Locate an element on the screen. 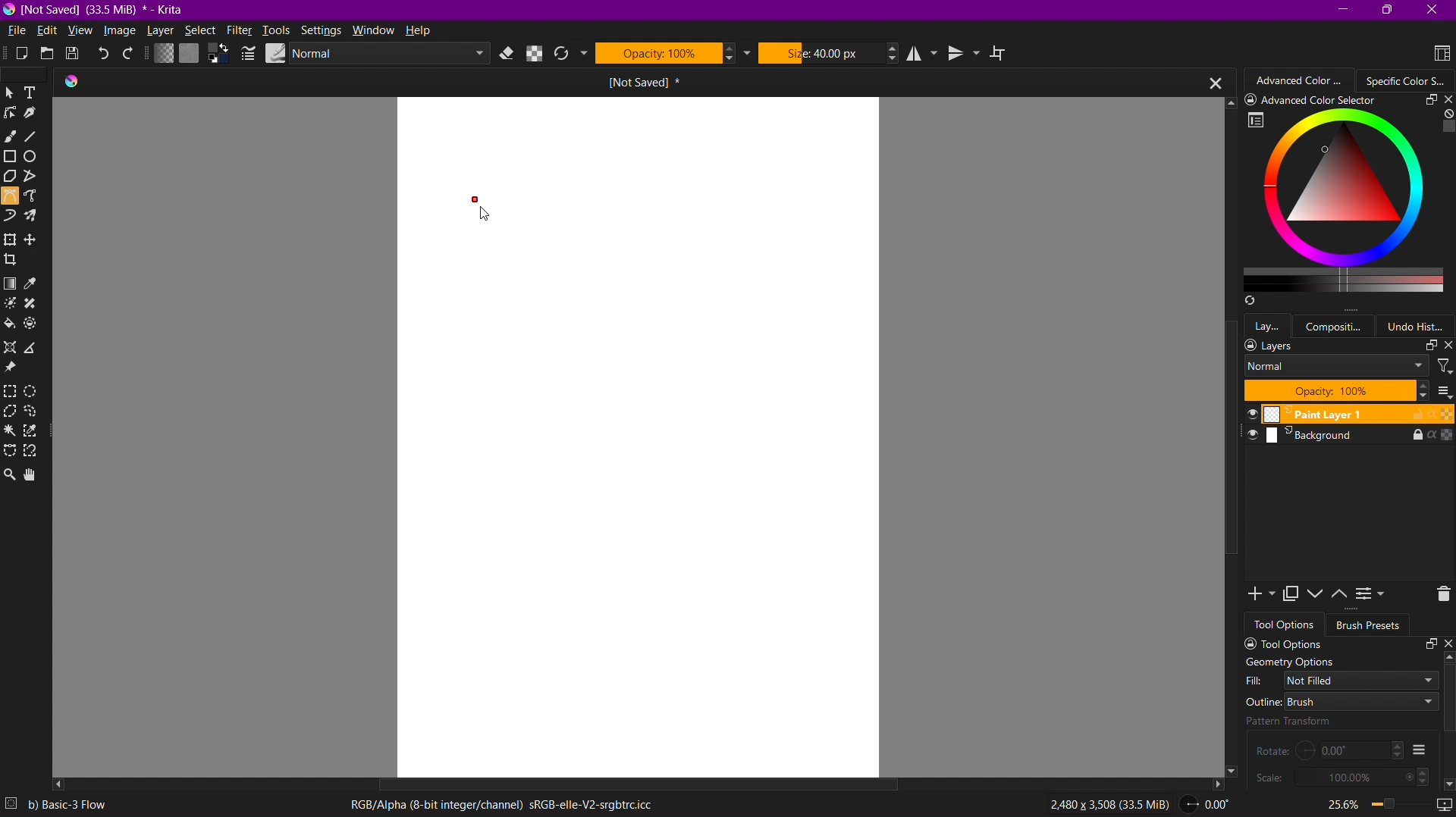 Image resolution: width=1456 pixels, height=817 pixels. Down is located at coordinates (1235, 773).